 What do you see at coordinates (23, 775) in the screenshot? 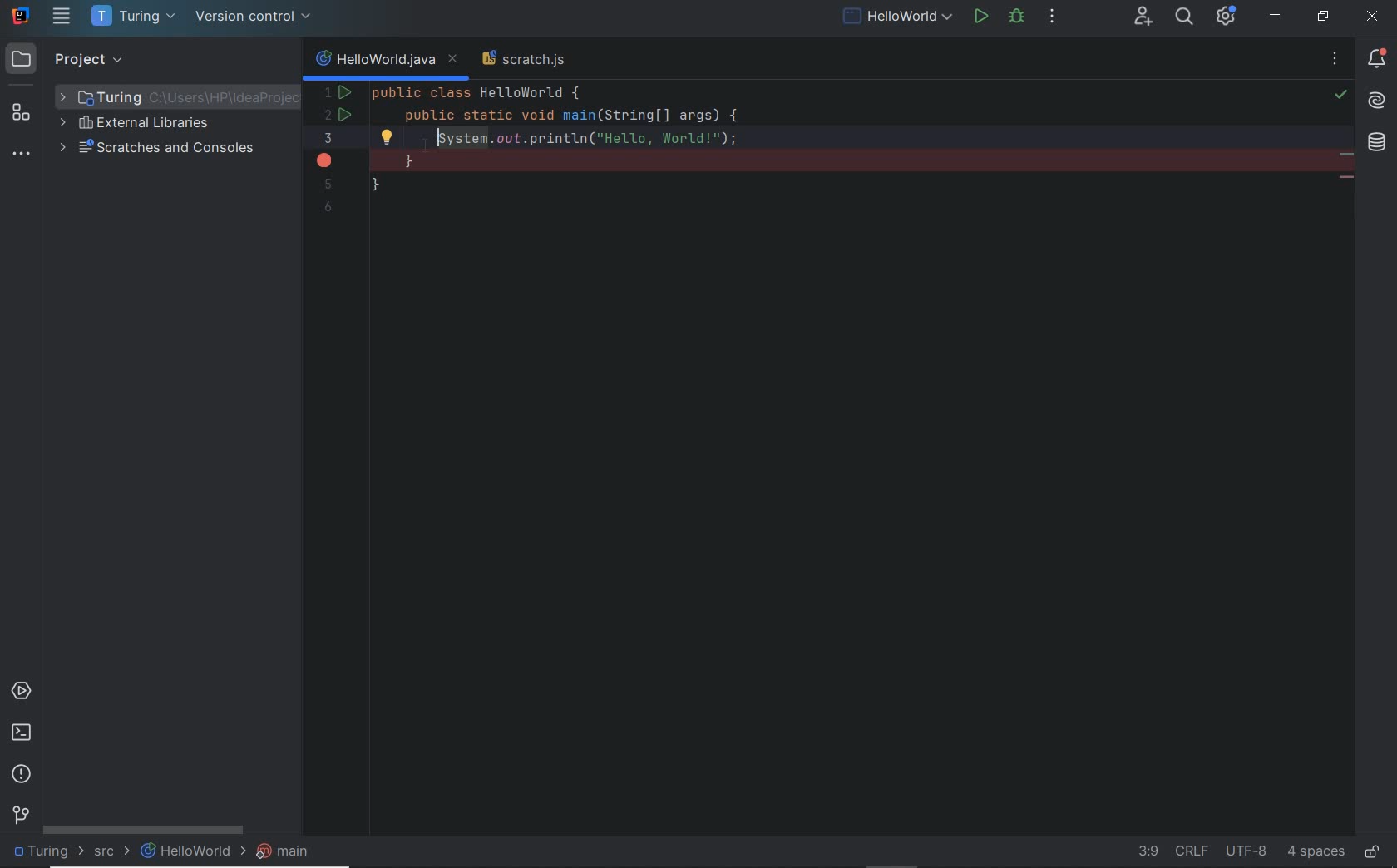
I see `problems` at bounding box center [23, 775].